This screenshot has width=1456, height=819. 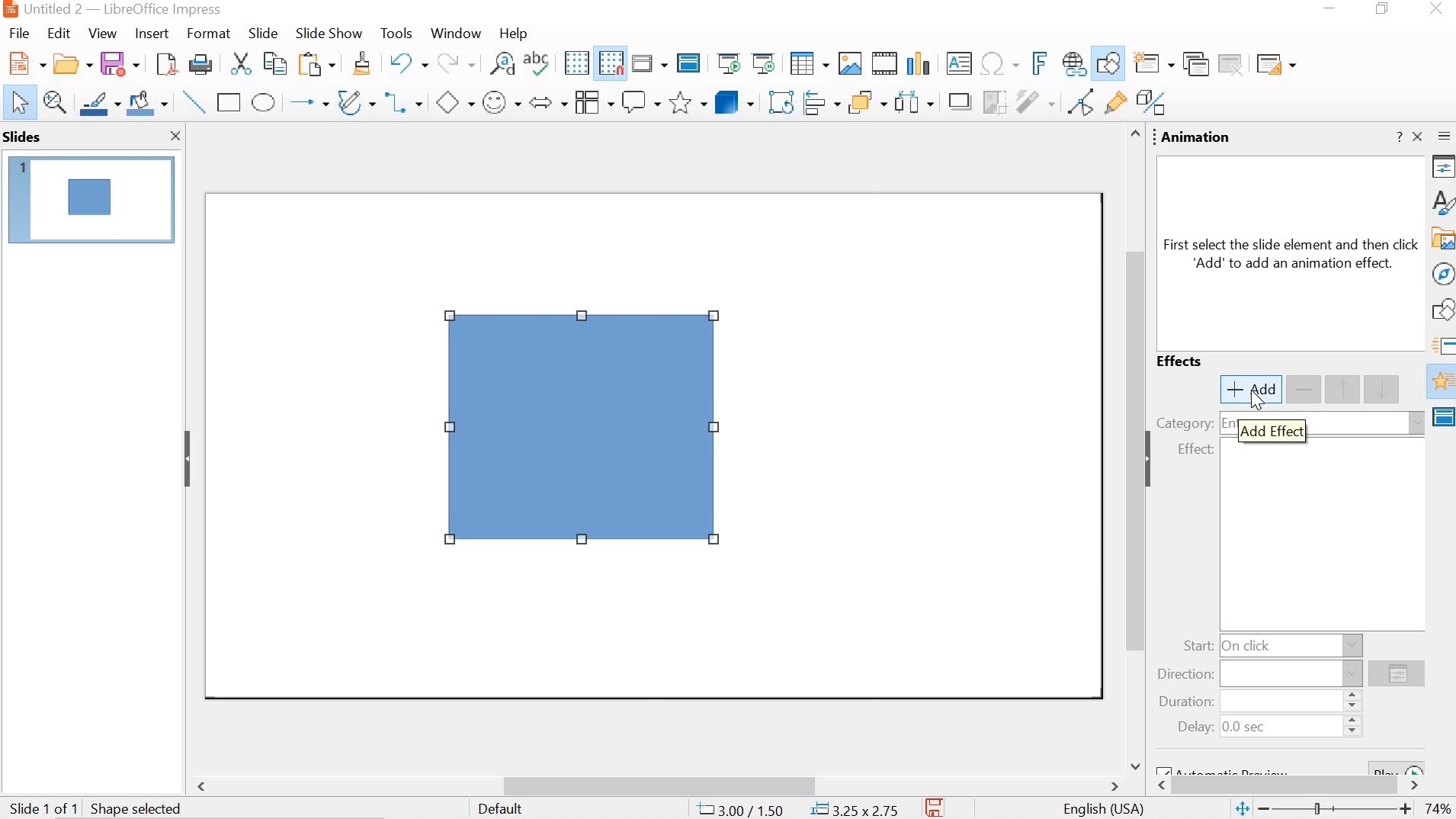 I want to click on category, so click(x=1185, y=424).